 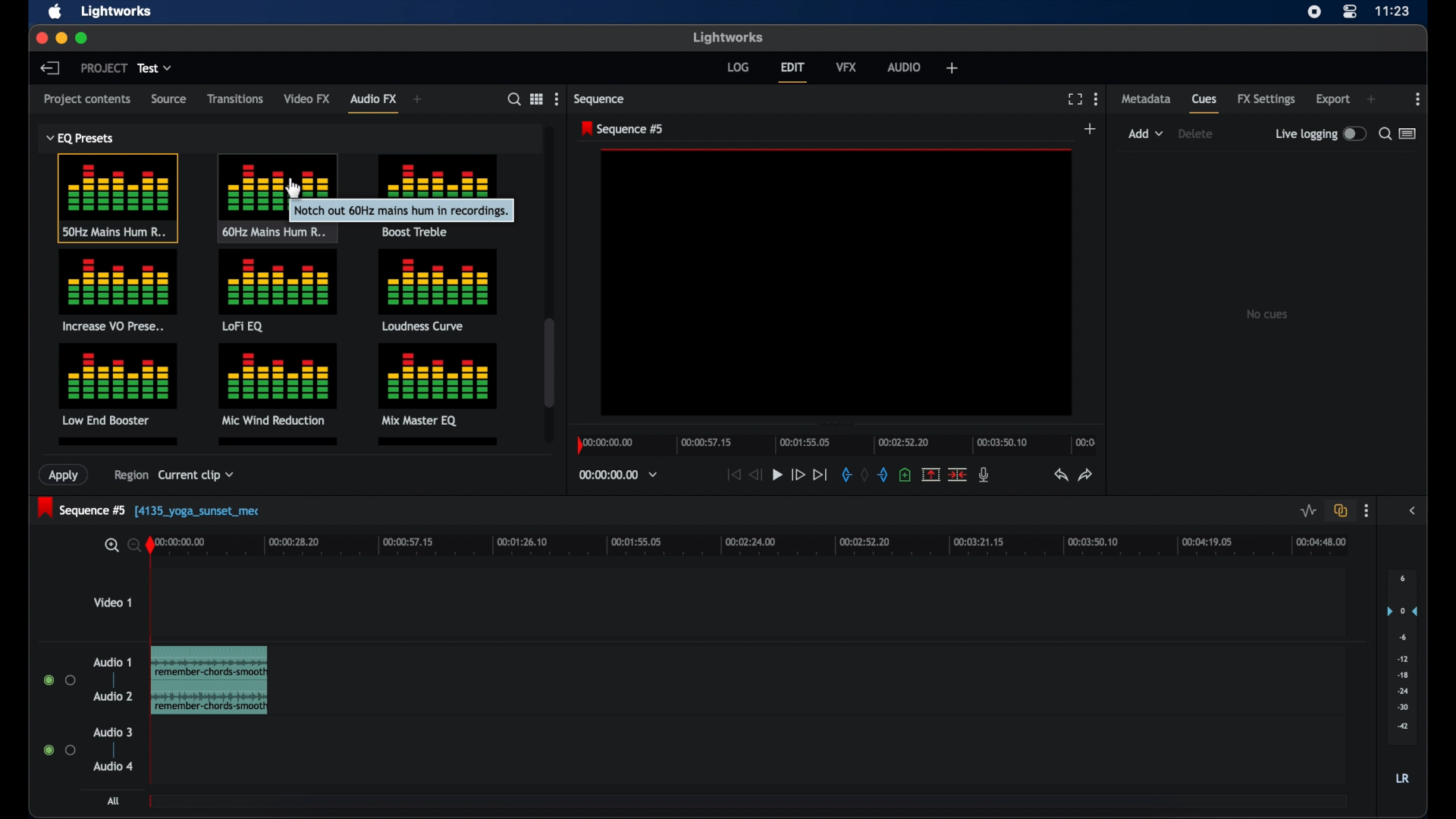 I want to click on add cue at current position, so click(x=905, y=473).